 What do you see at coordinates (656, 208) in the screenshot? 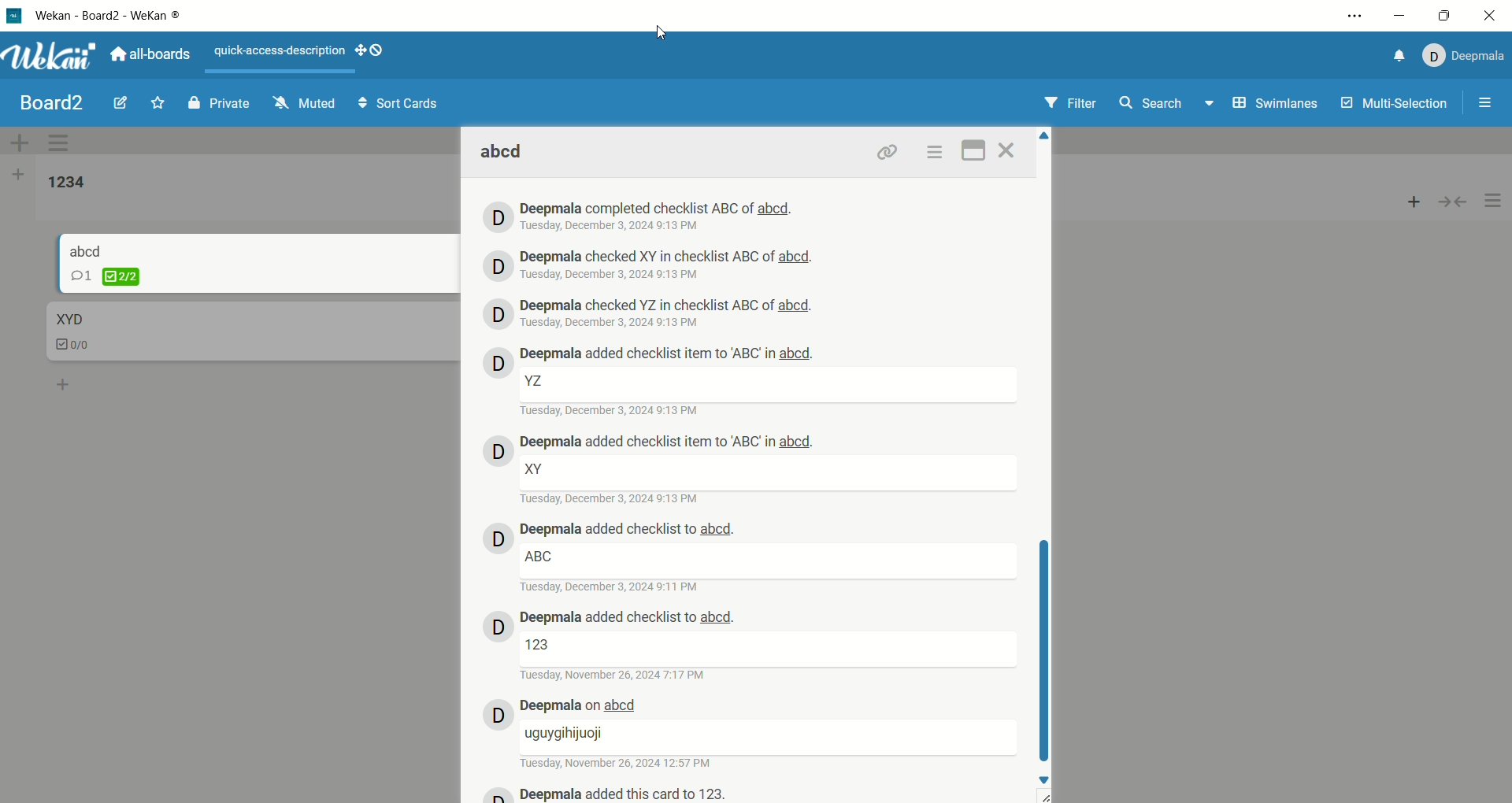
I see `deepmala history` at bounding box center [656, 208].